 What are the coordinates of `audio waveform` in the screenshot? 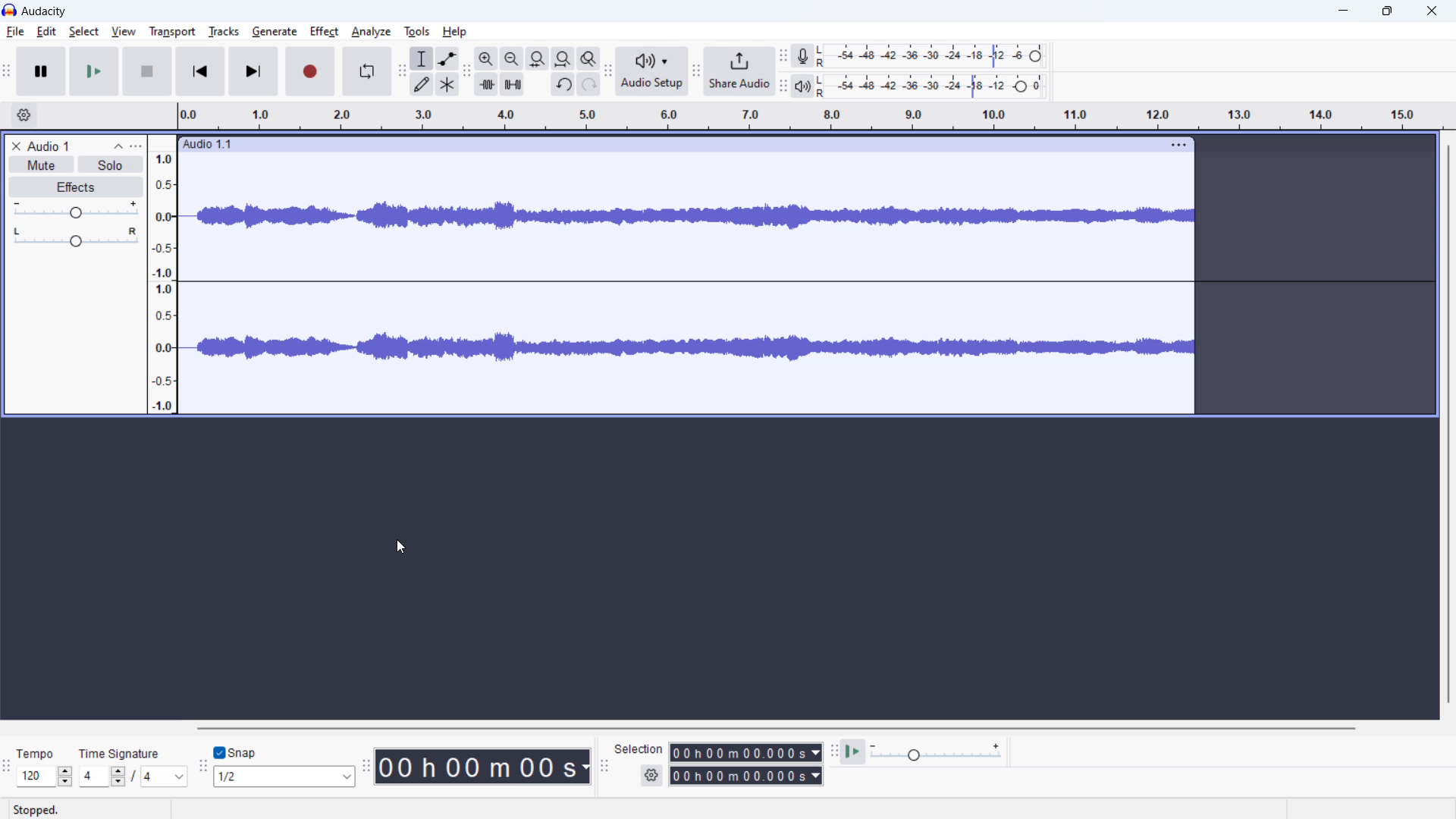 It's located at (687, 284).